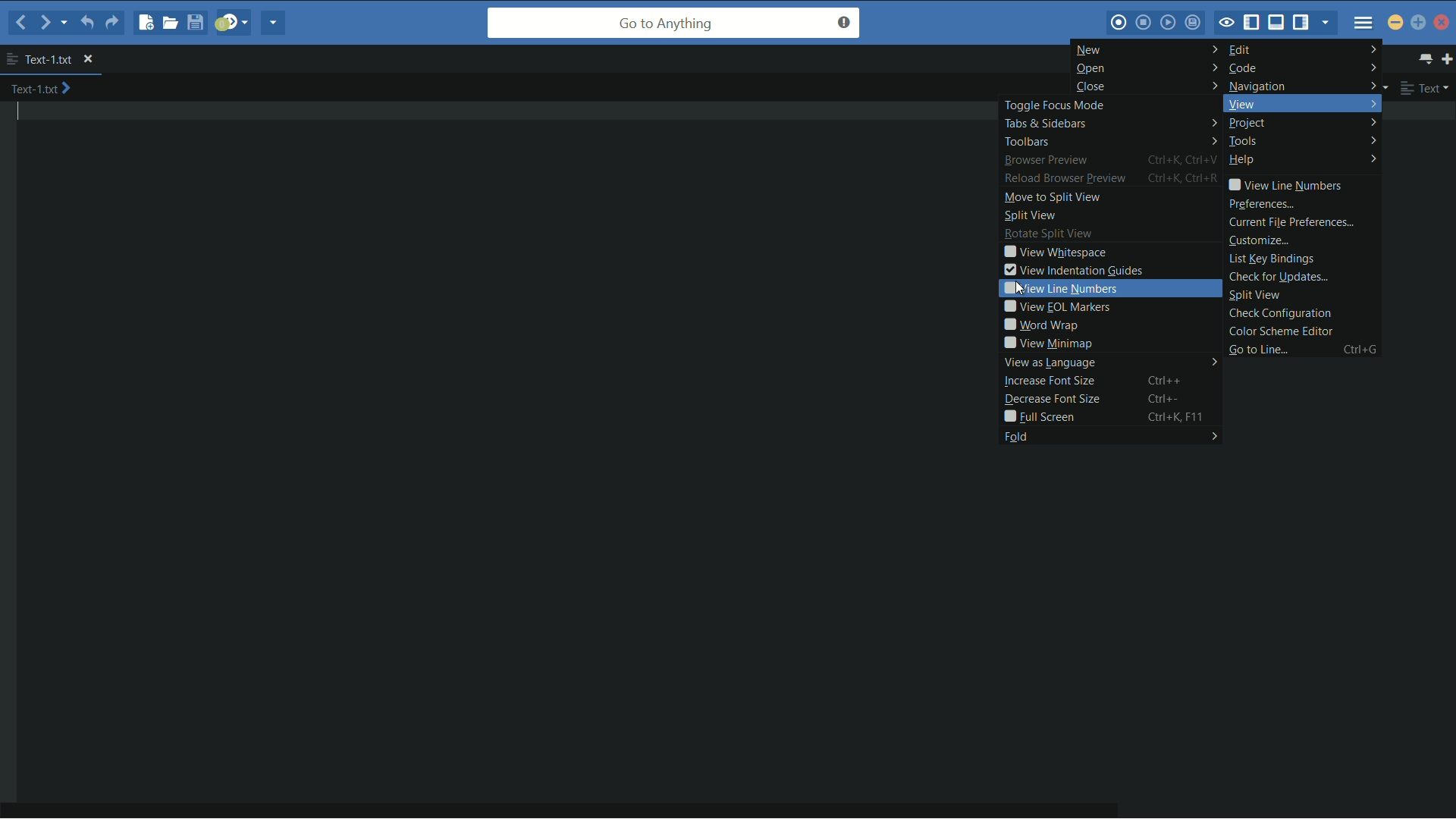  I want to click on minimize, so click(1396, 24).